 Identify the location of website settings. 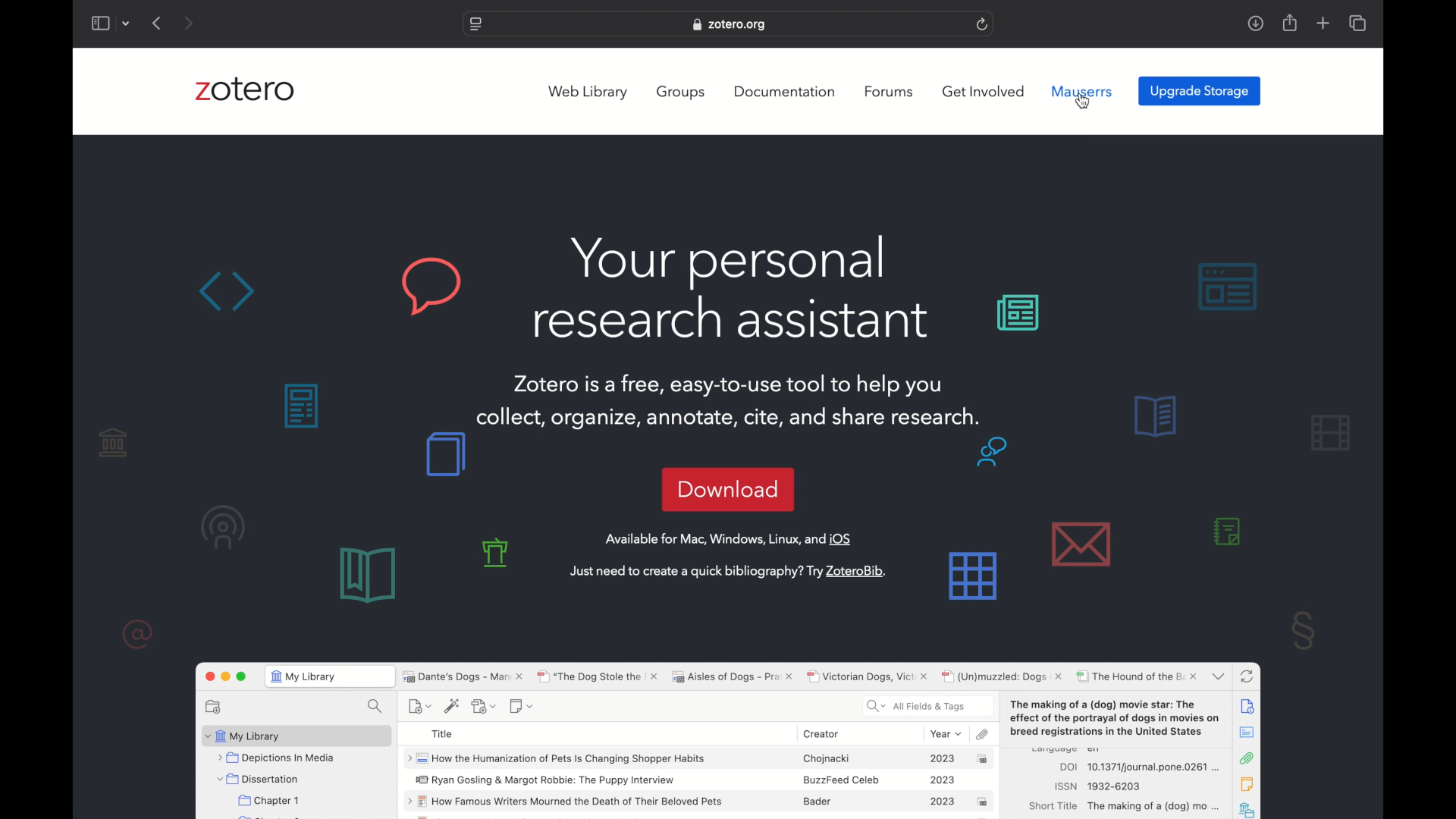
(475, 24).